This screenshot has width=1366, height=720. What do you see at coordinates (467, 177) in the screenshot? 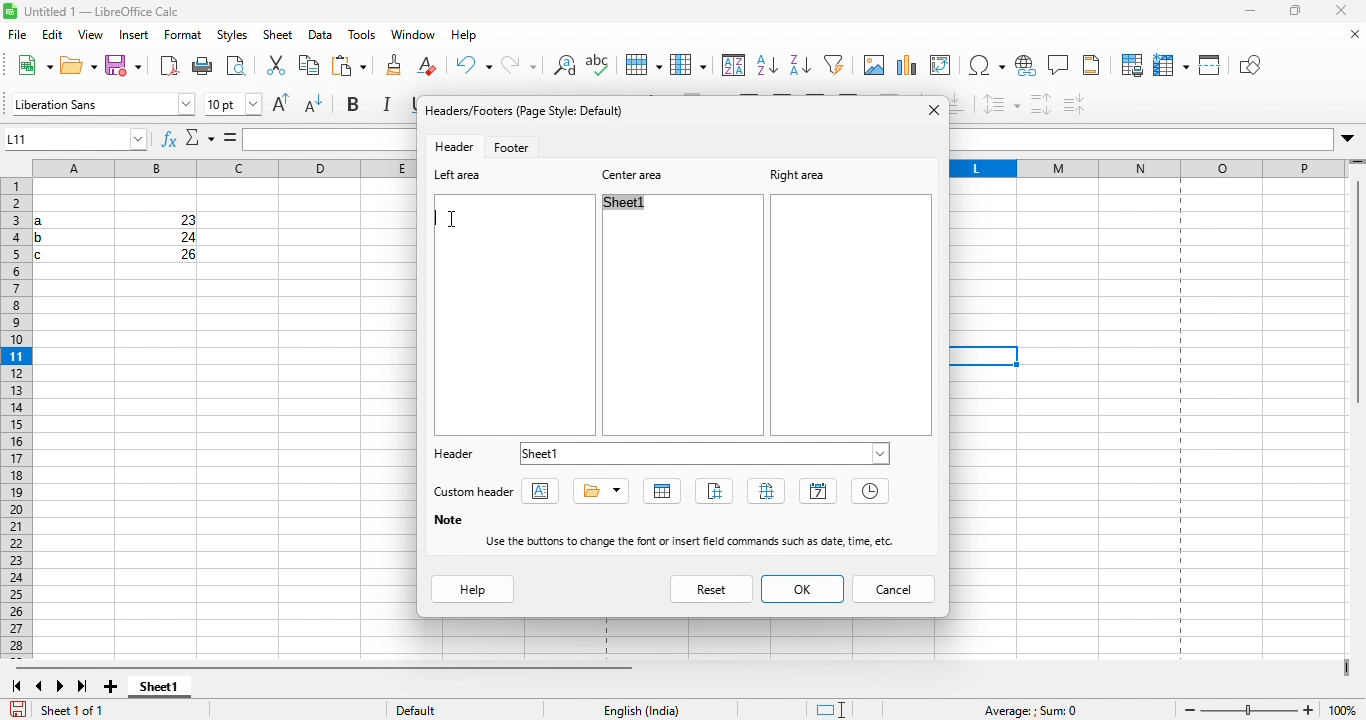
I see `left area` at bounding box center [467, 177].